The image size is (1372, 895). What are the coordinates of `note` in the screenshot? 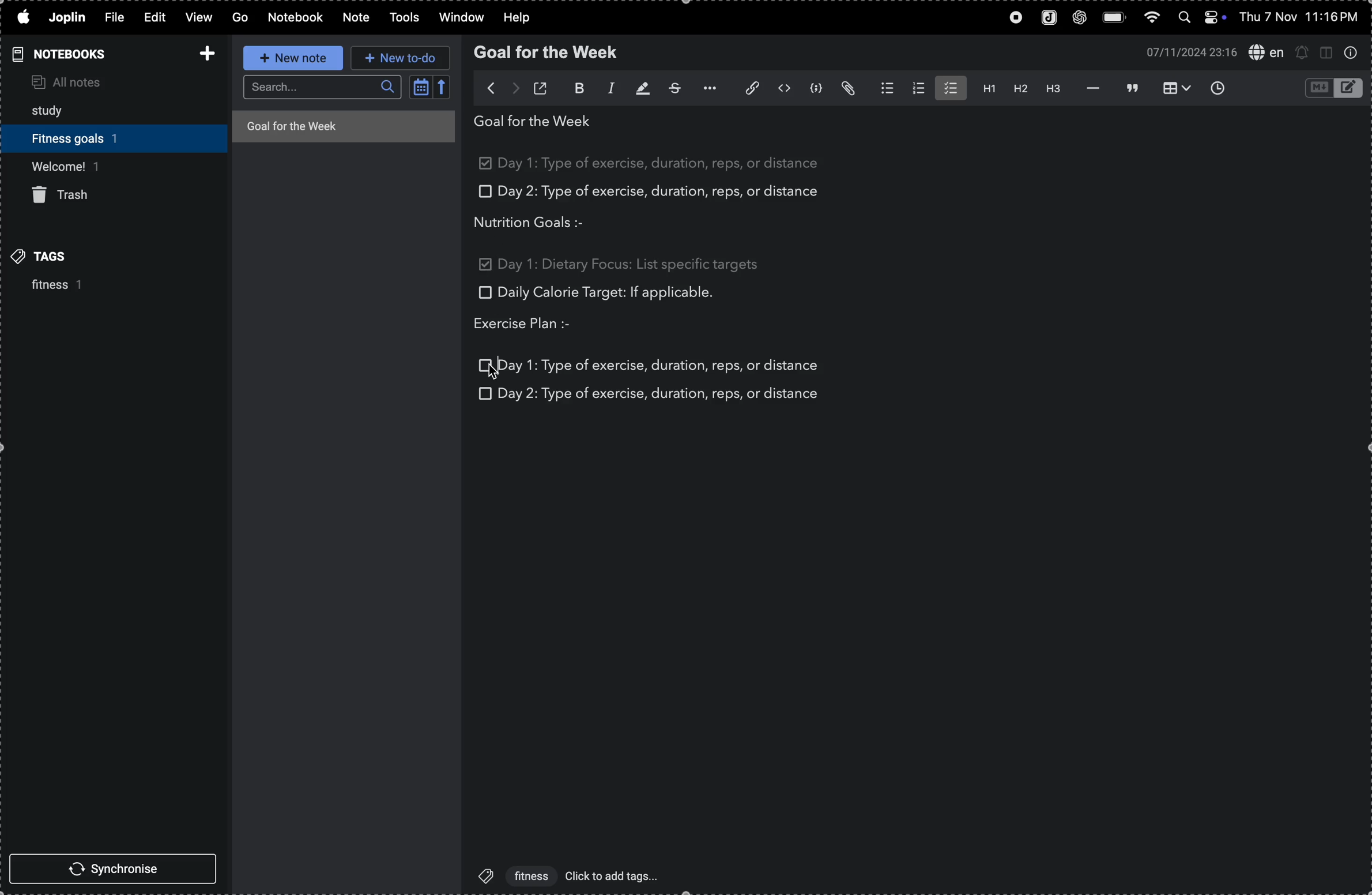 It's located at (355, 18).